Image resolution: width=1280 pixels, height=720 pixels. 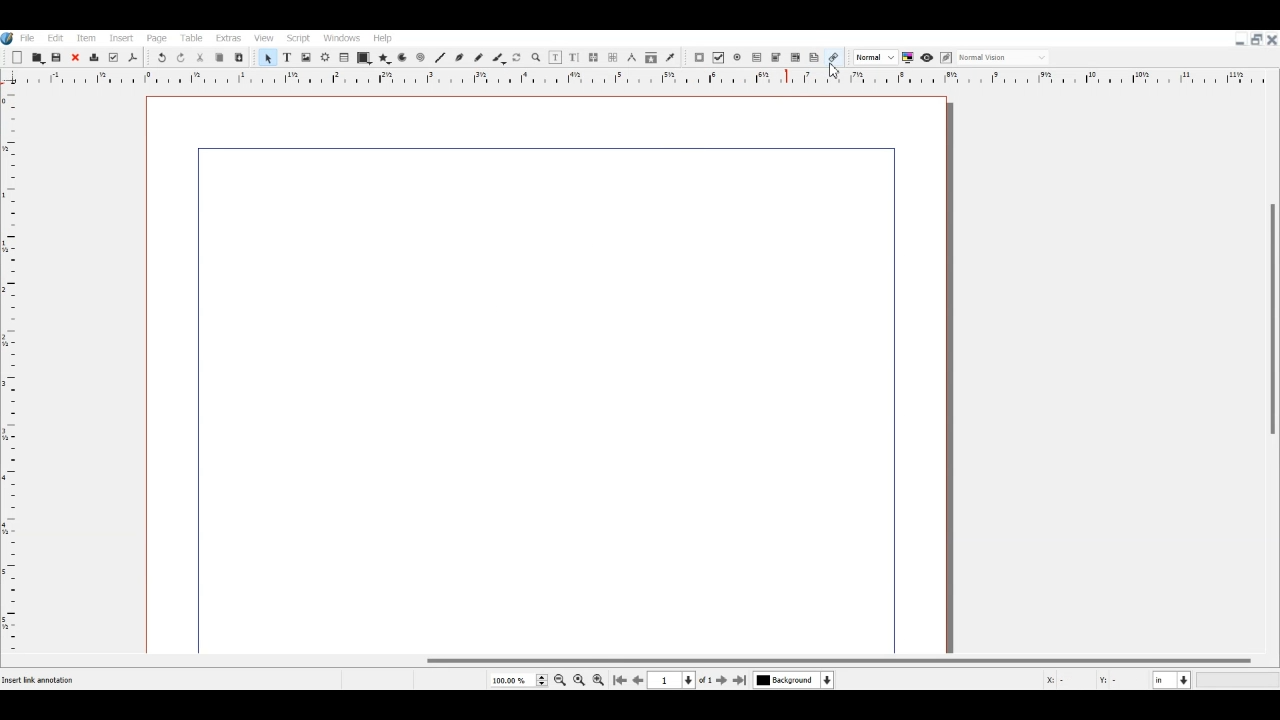 I want to click on Line, so click(x=440, y=57).